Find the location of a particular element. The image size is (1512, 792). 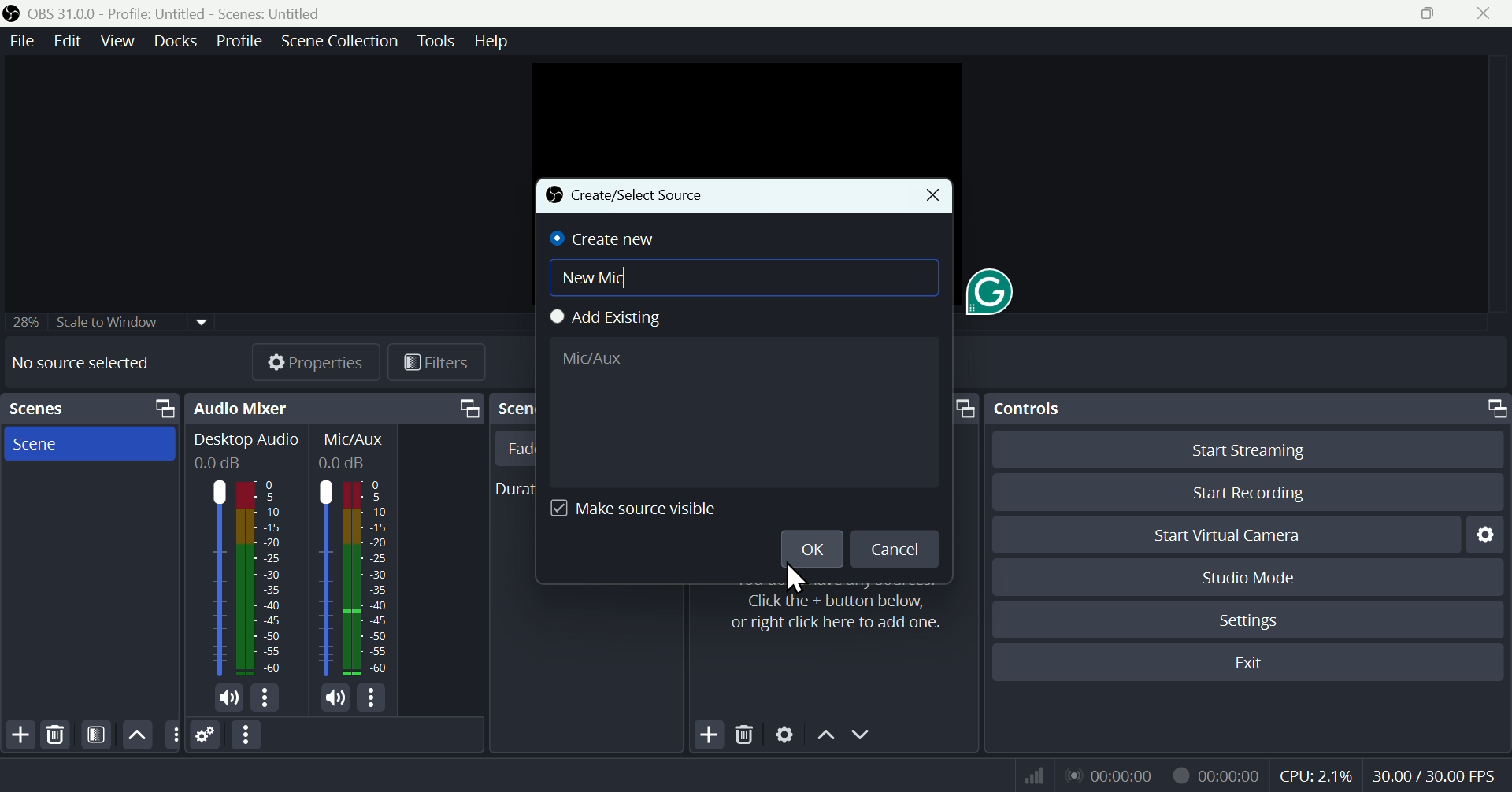

Properties is located at coordinates (314, 362).